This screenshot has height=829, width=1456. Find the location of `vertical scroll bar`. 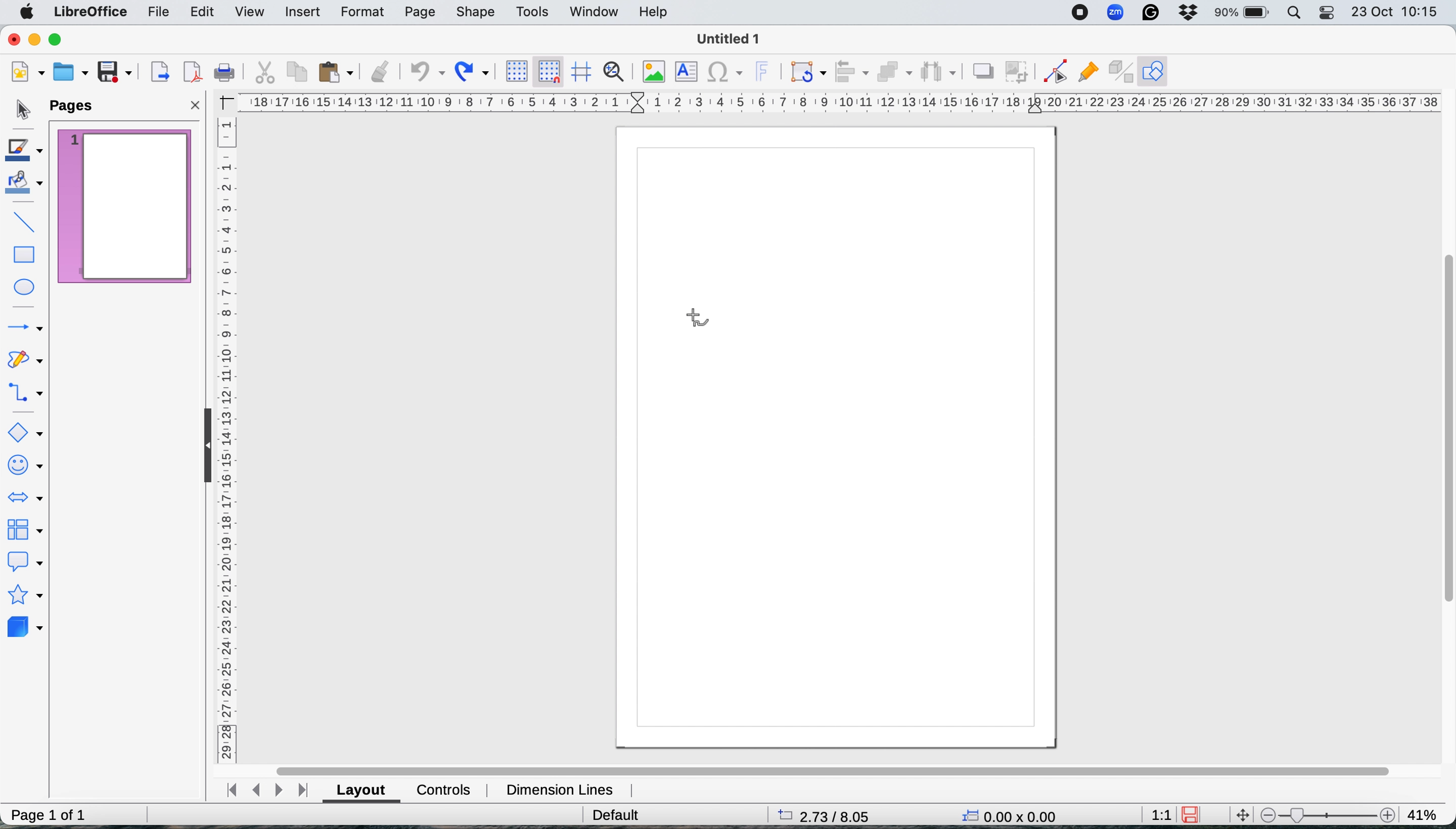

vertical scroll bar is located at coordinates (1443, 428).